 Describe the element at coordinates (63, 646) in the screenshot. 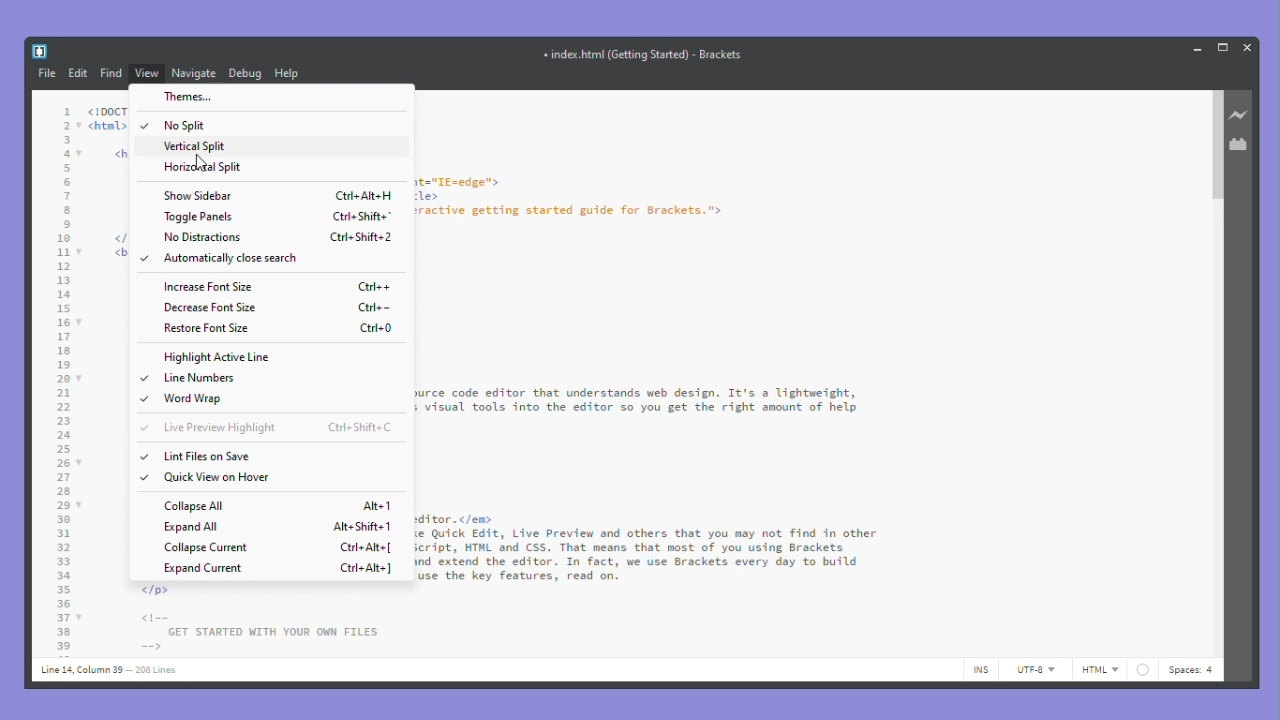

I see `39` at that location.